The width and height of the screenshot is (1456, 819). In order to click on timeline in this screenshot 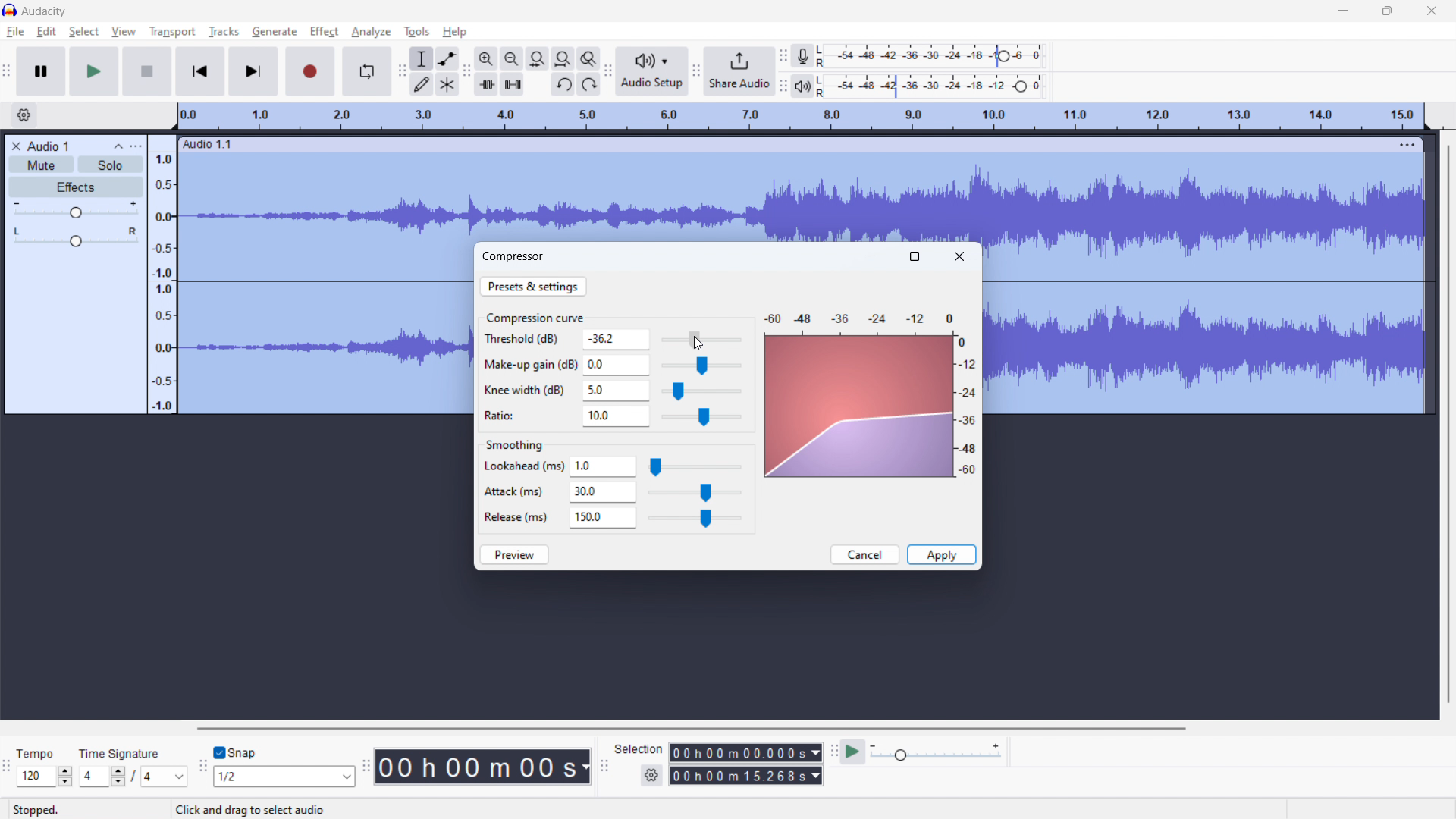, I will do `click(800, 117)`.